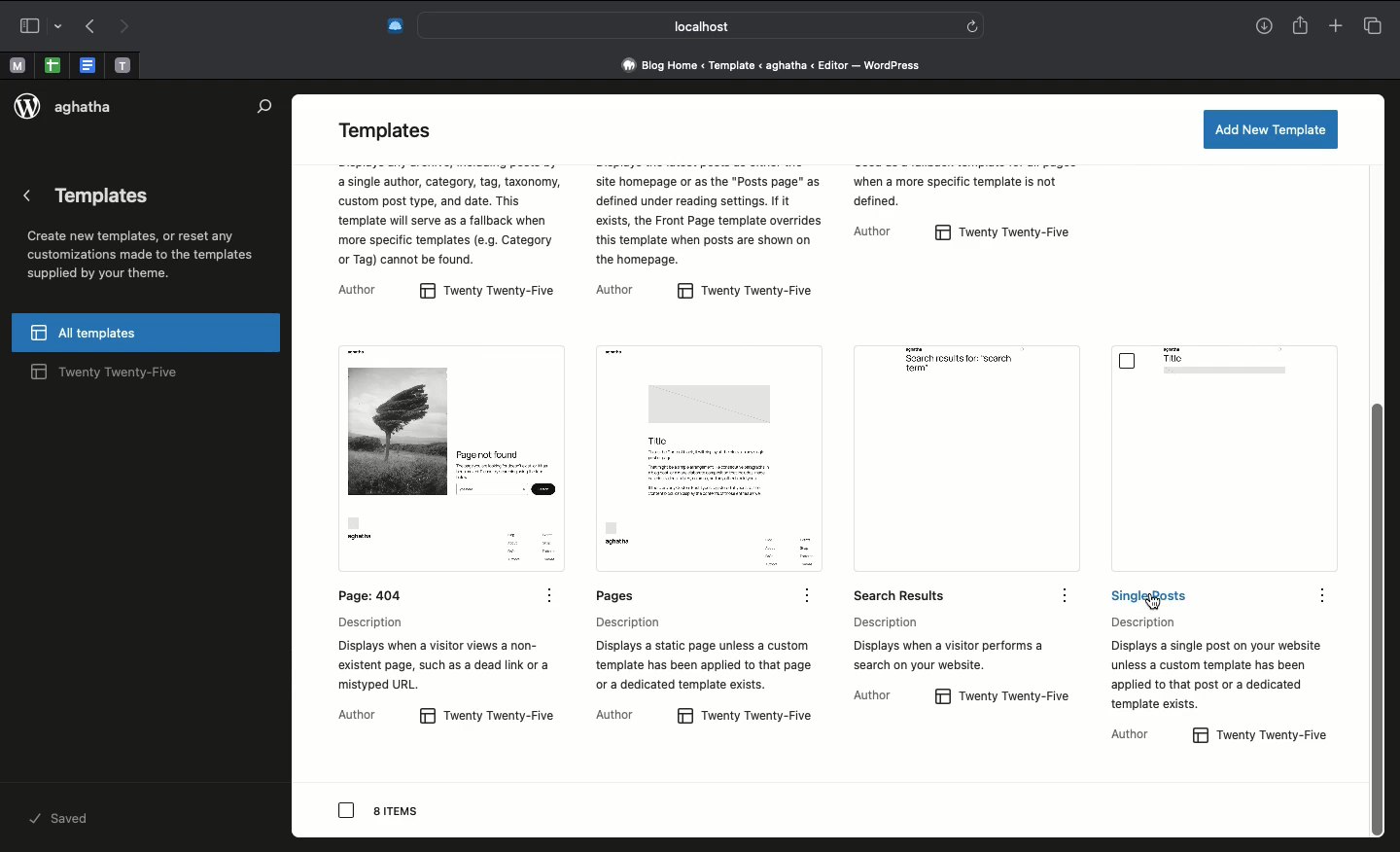 This screenshot has height=852, width=1400. Describe the element at coordinates (89, 27) in the screenshot. I see `Back` at that location.